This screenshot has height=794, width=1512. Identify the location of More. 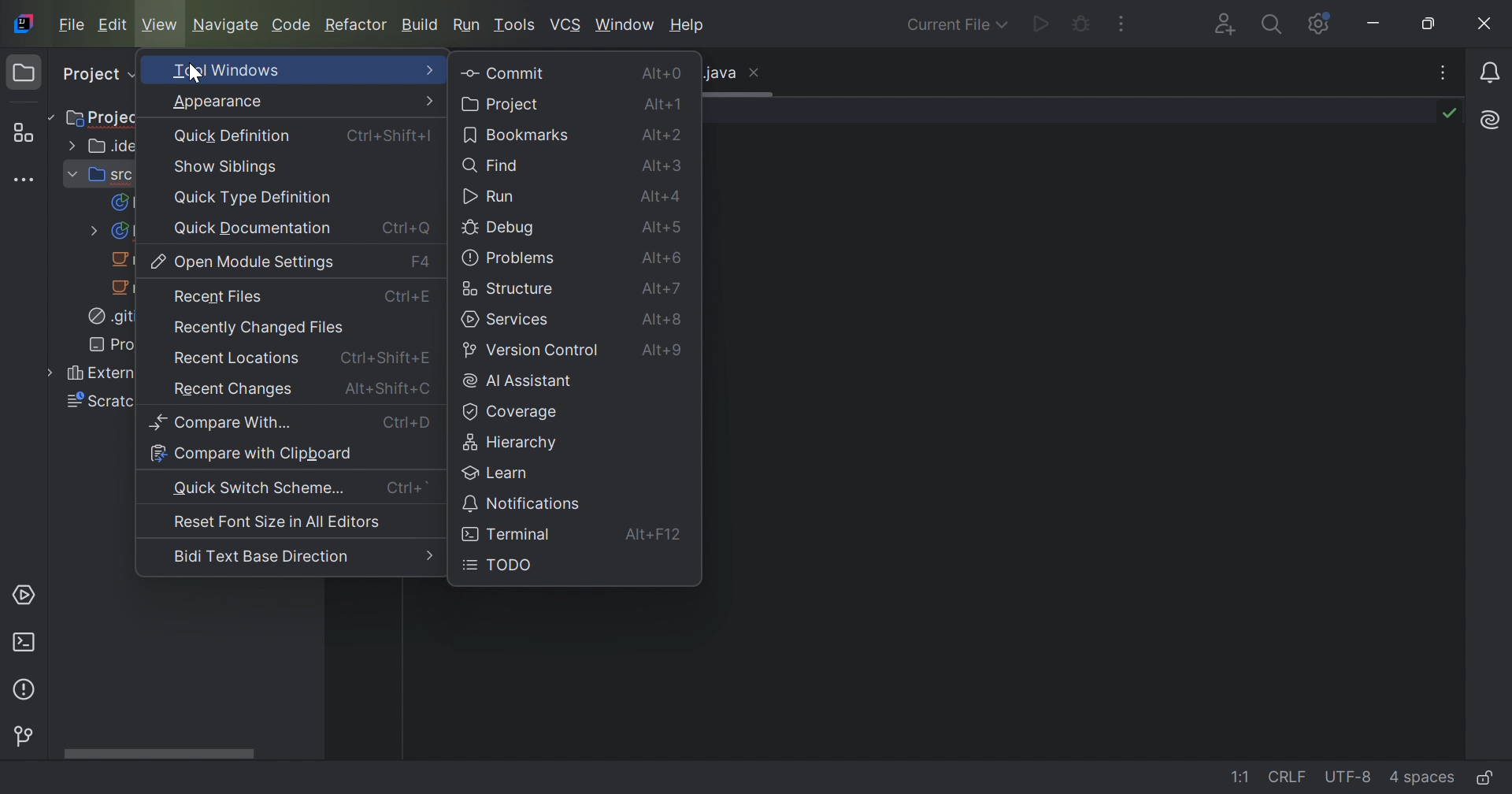
(429, 557).